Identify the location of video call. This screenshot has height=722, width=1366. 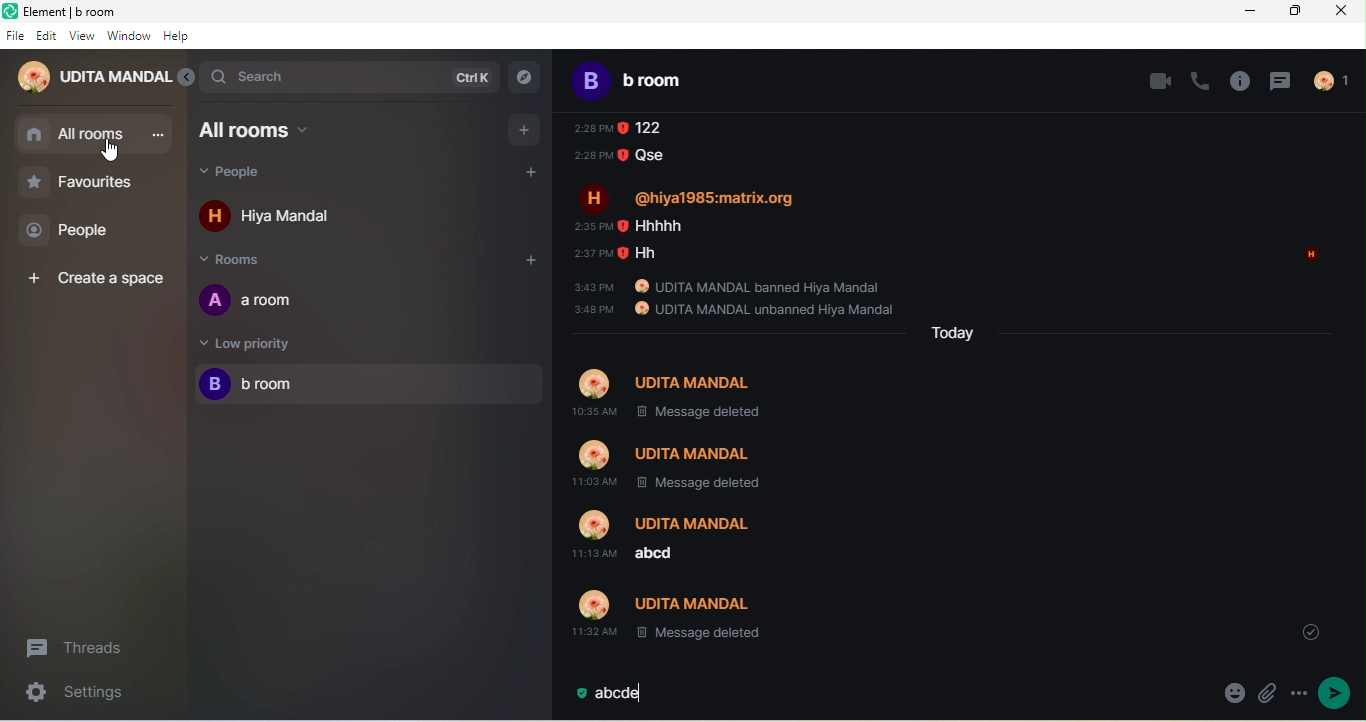
(1148, 79).